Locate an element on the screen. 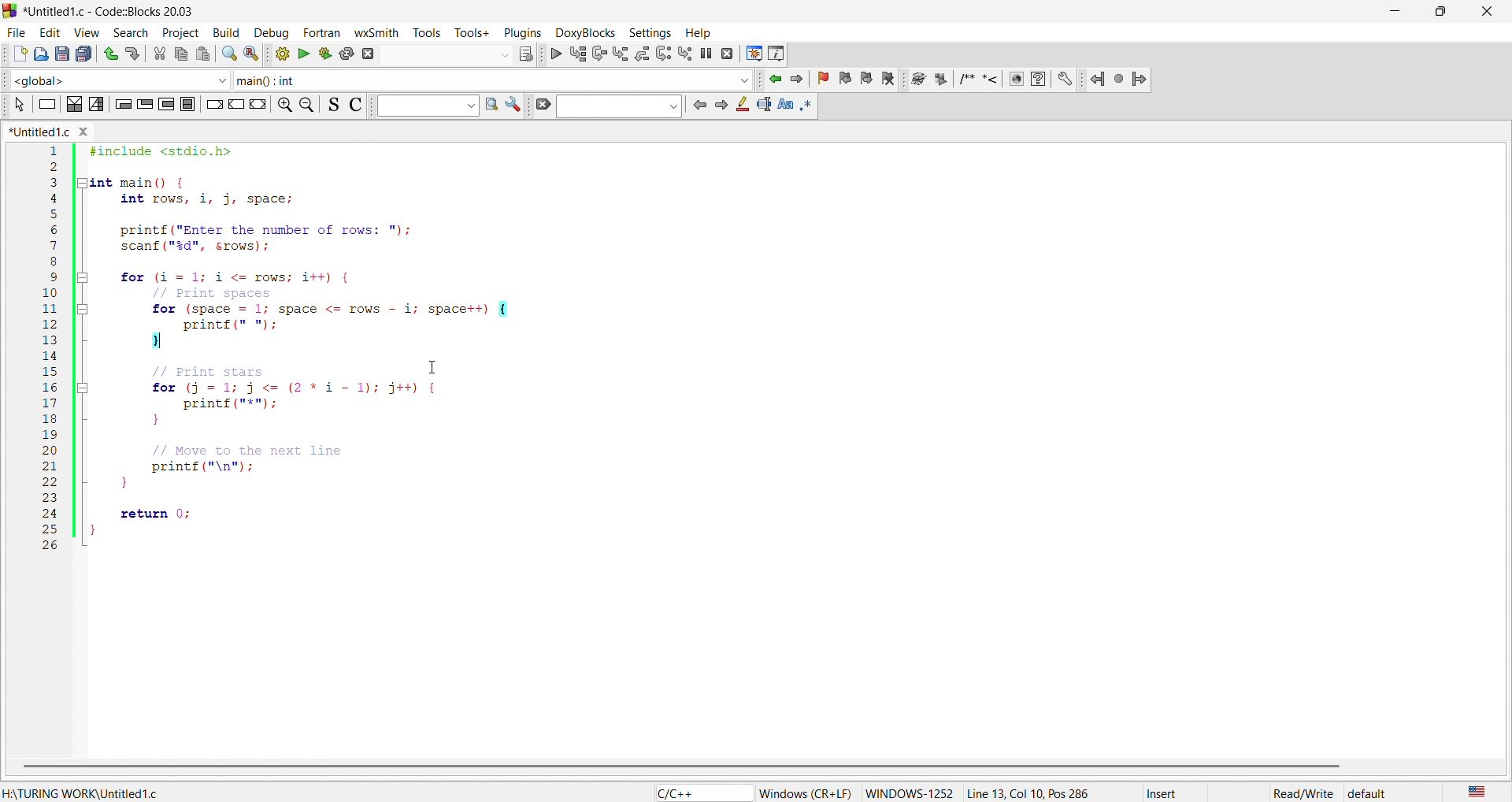 The image size is (1512, 802). search and replace is located at coordinates (254, 54).